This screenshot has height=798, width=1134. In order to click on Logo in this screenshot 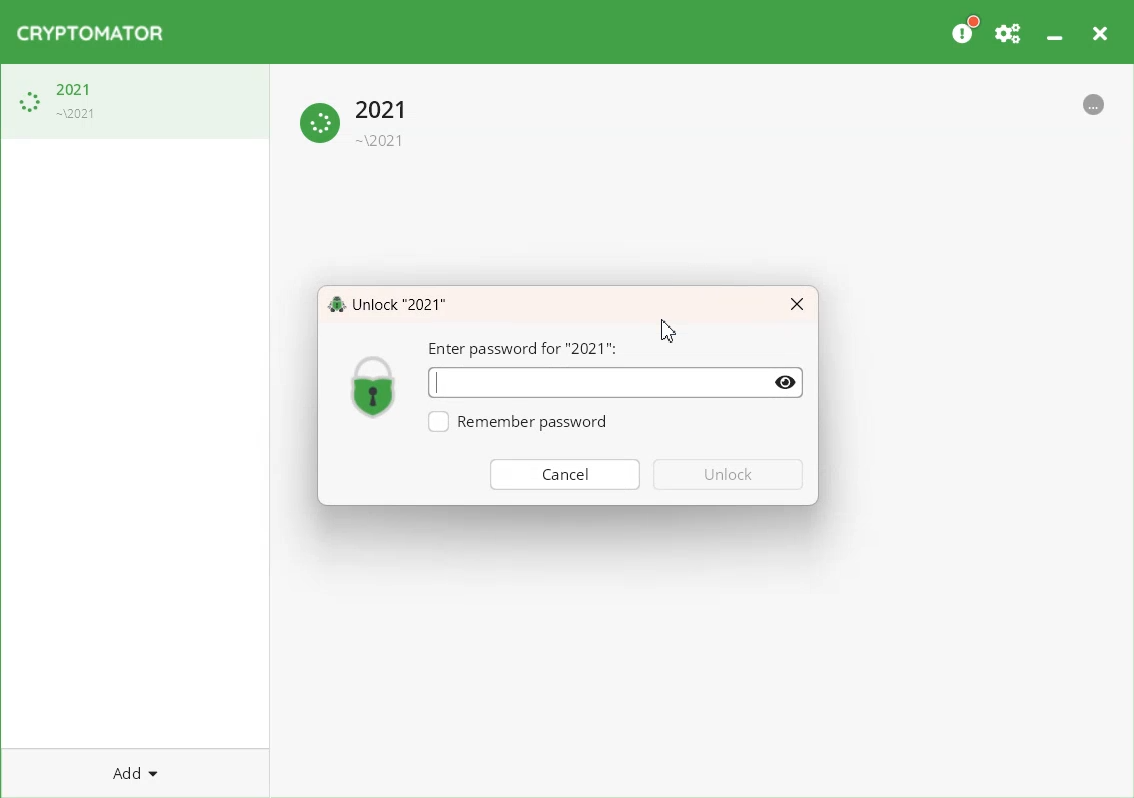, I will do `click(90, 33)`.